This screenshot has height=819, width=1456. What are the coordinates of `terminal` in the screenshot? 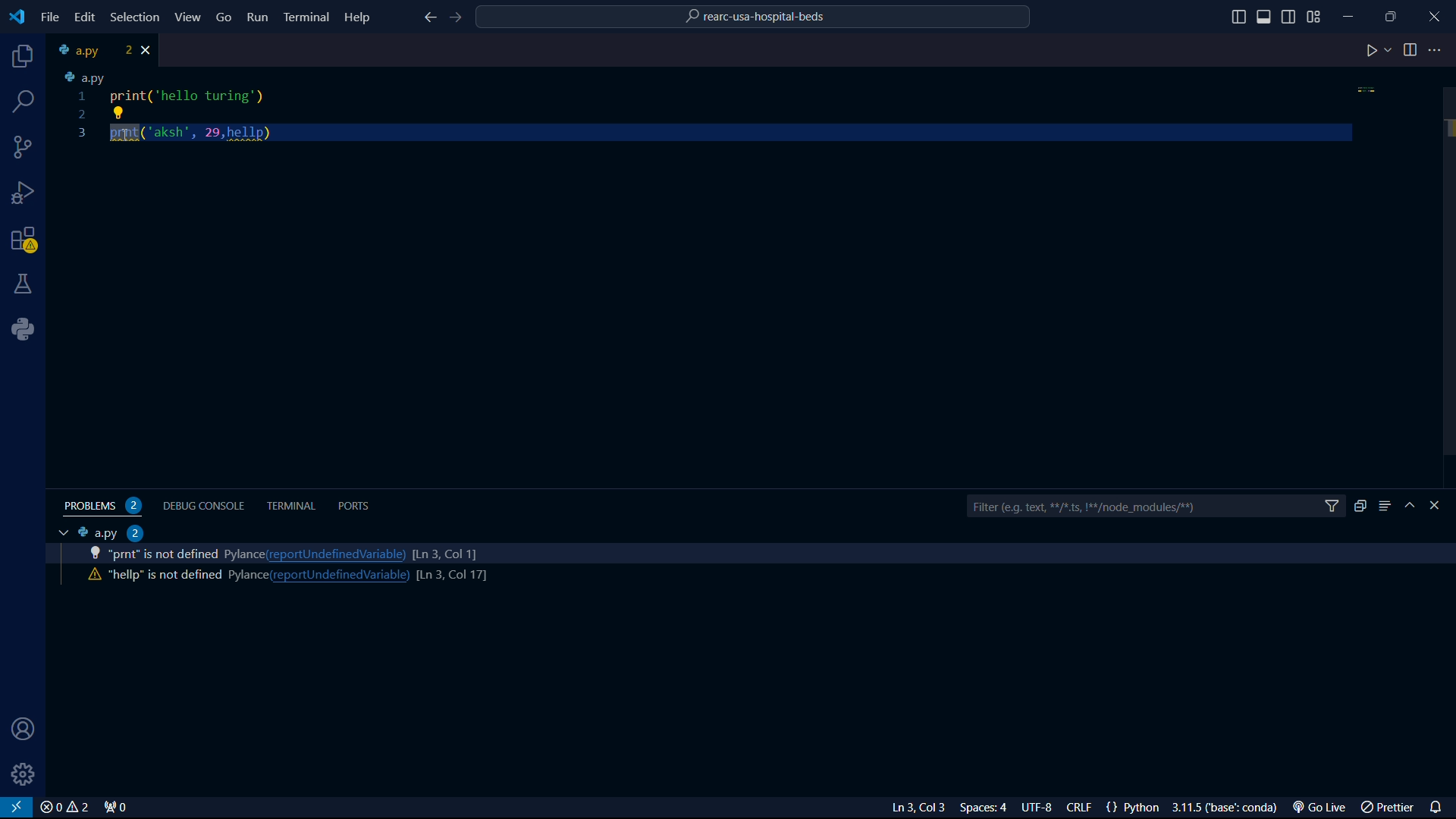 It's located at (292, 506).